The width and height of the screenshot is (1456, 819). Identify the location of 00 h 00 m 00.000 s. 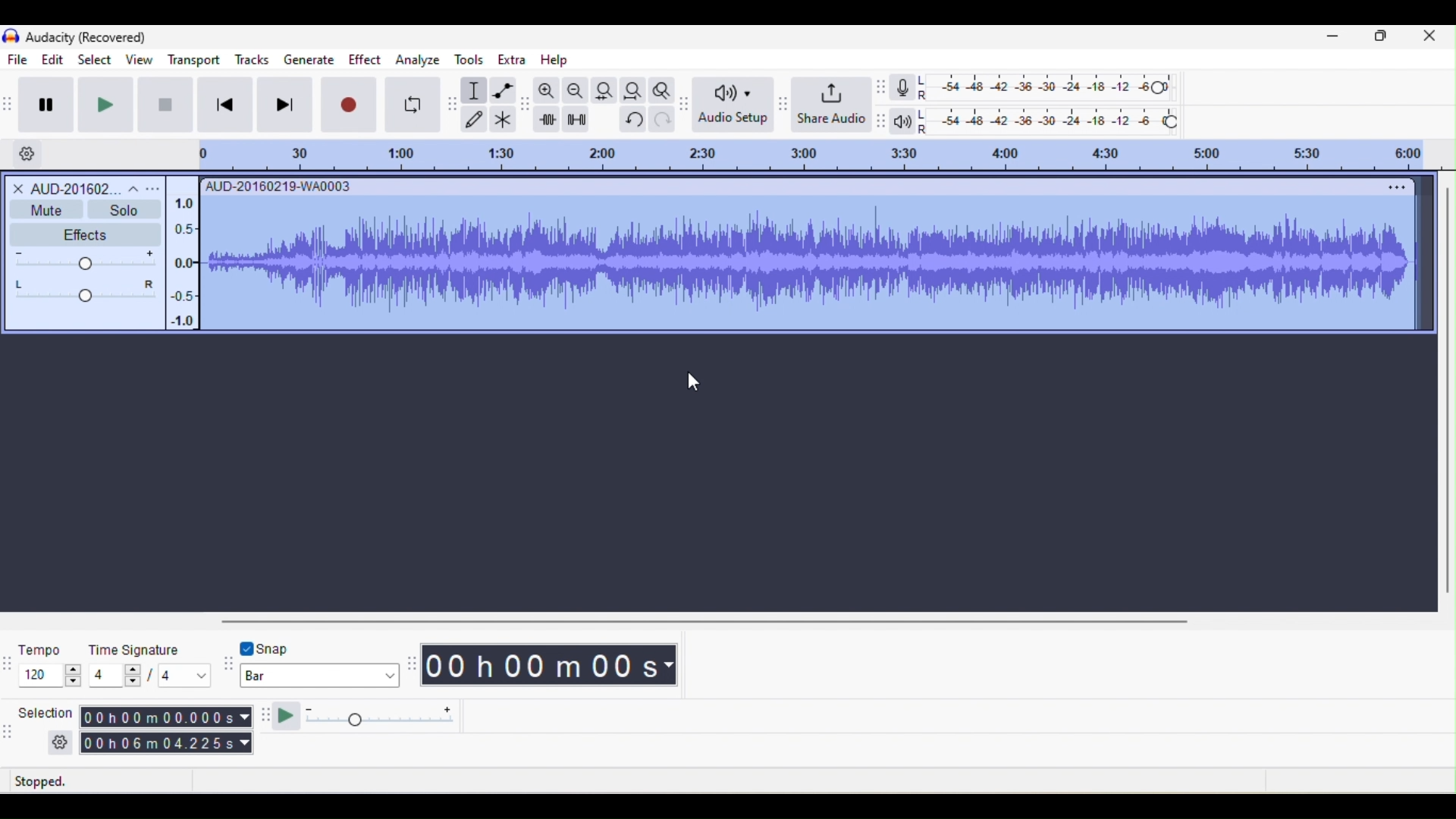
(166, 717).